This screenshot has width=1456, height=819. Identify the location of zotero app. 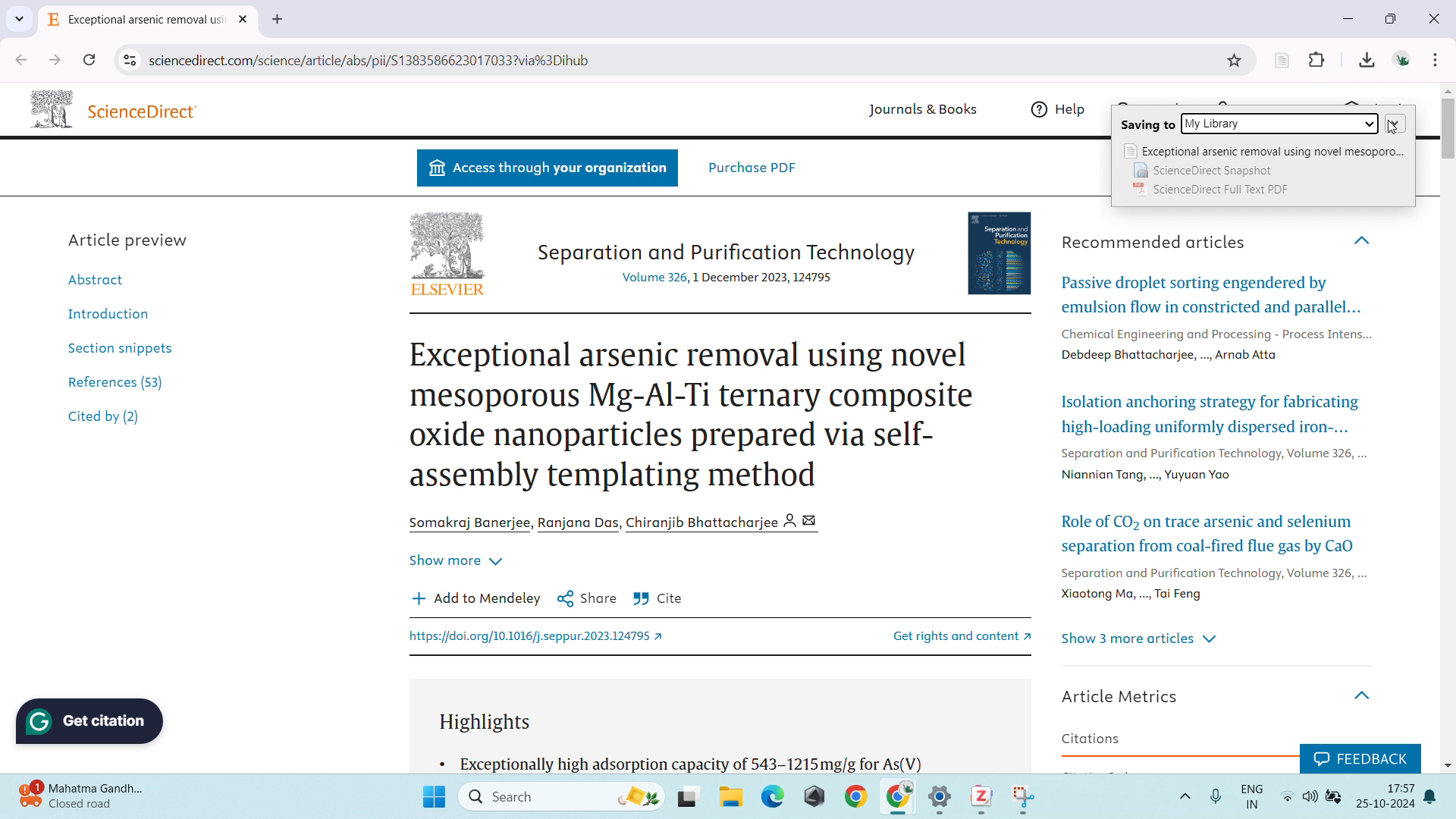
(978, 795).